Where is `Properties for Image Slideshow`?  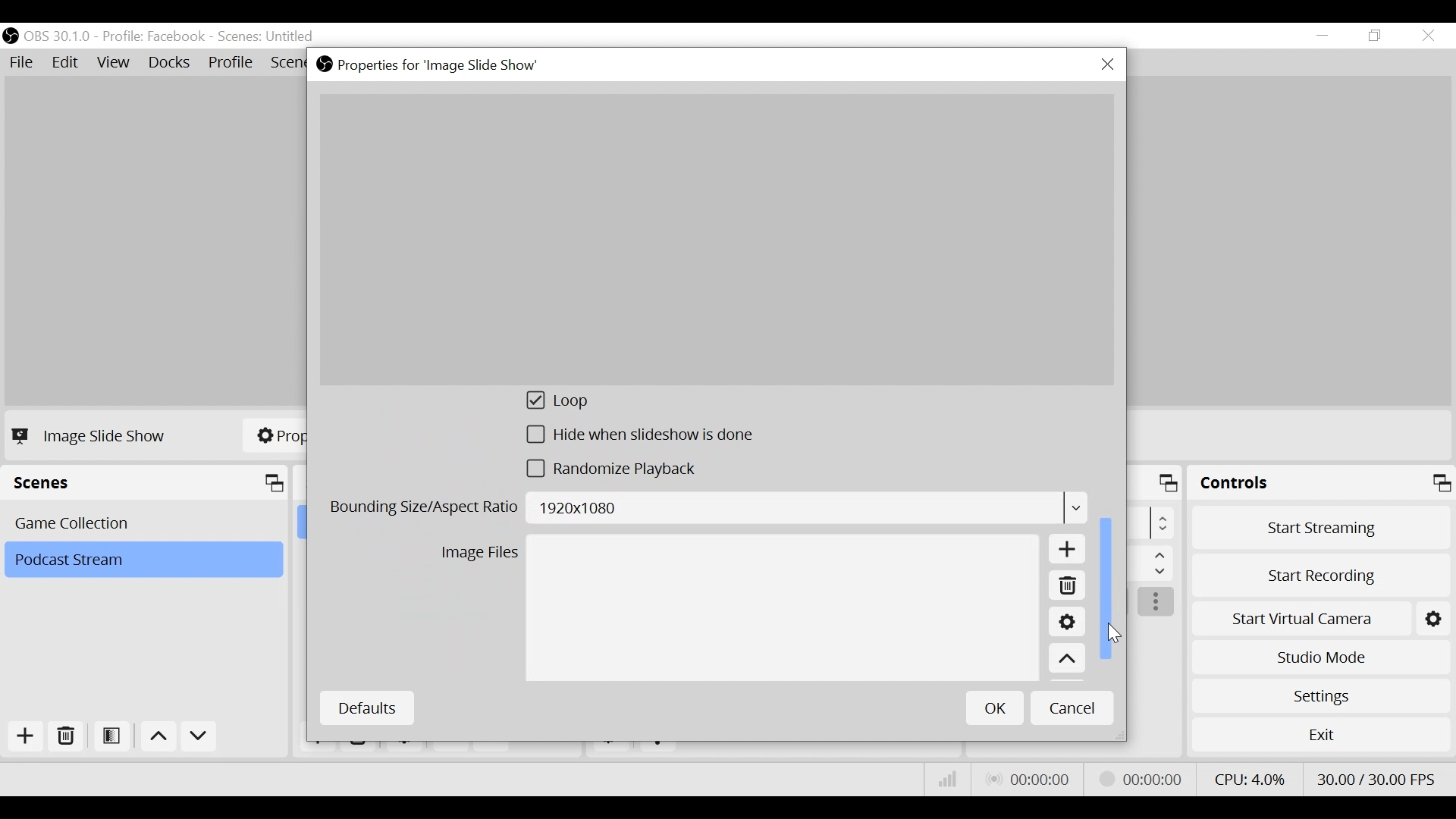 Properties for Image Slideshow is located at coordinates (431, 65).